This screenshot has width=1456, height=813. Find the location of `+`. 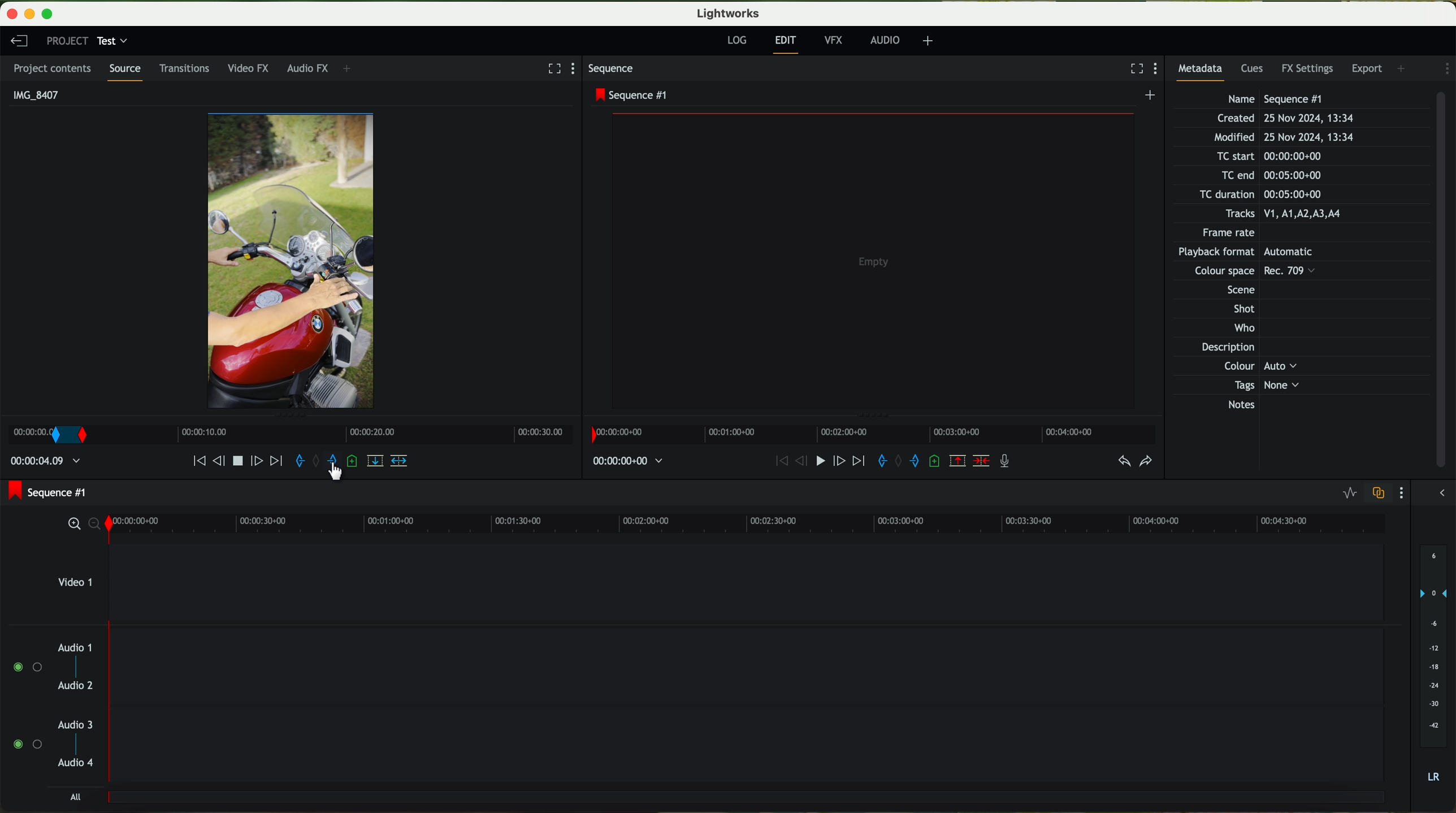

+ is located at coordinates (351, 70).